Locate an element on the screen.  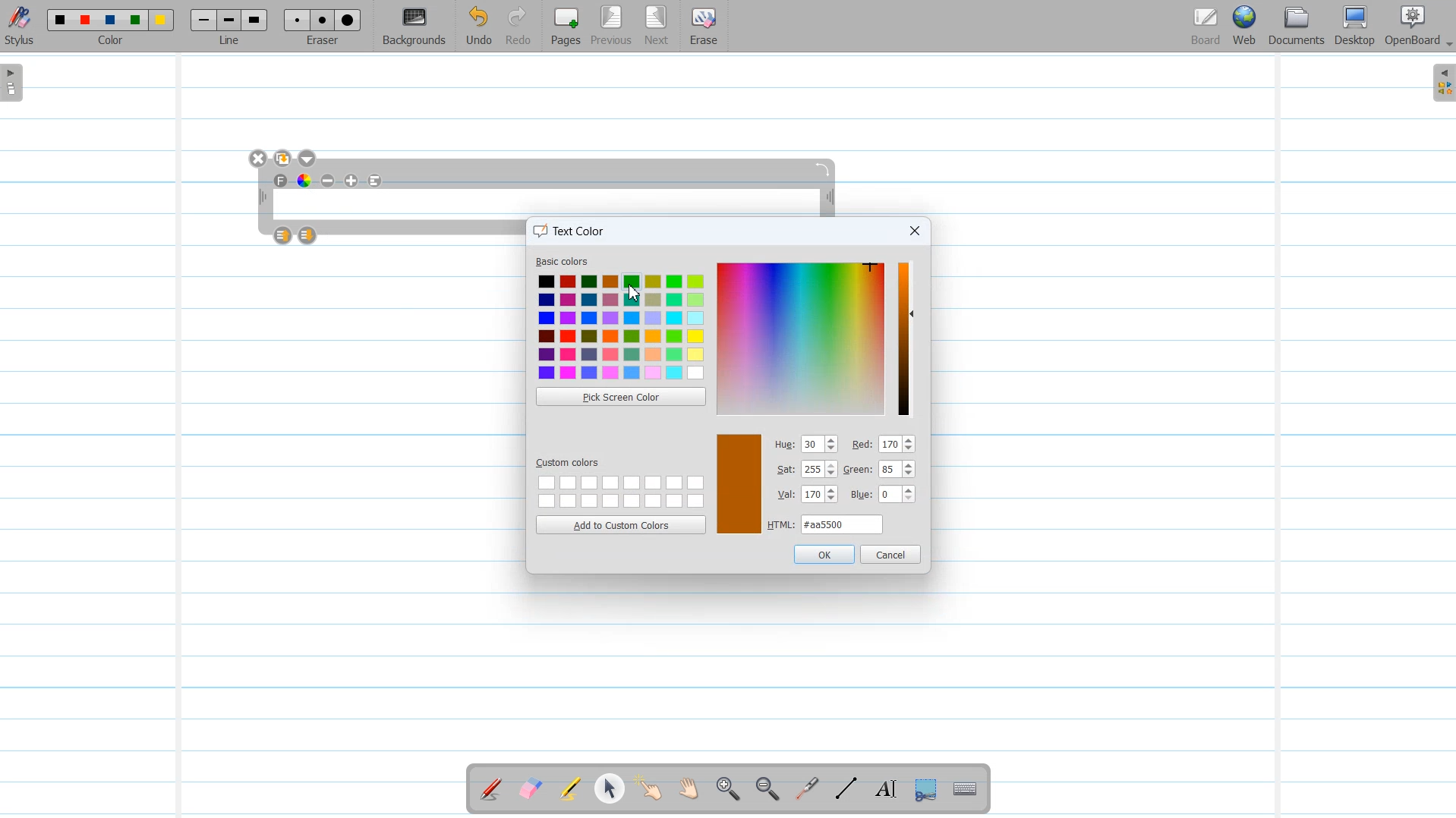
cursor is located at coordinates (632, 292).